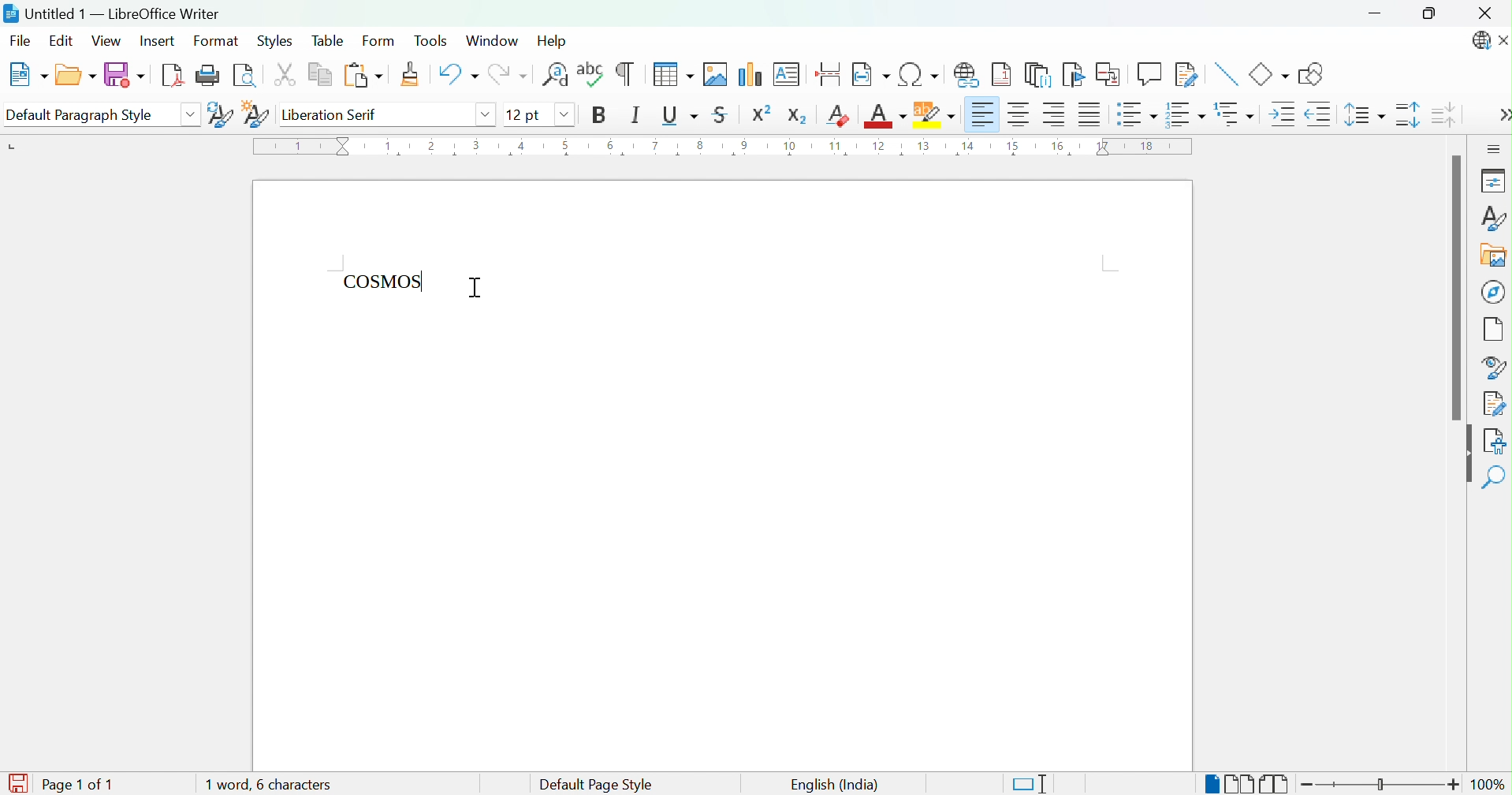 The height and width of the screenshot is (795, 1512). What do you see at coordinates (1496, 477) in the screenshot?
I see `Find` at bounding box center [1496, 477].